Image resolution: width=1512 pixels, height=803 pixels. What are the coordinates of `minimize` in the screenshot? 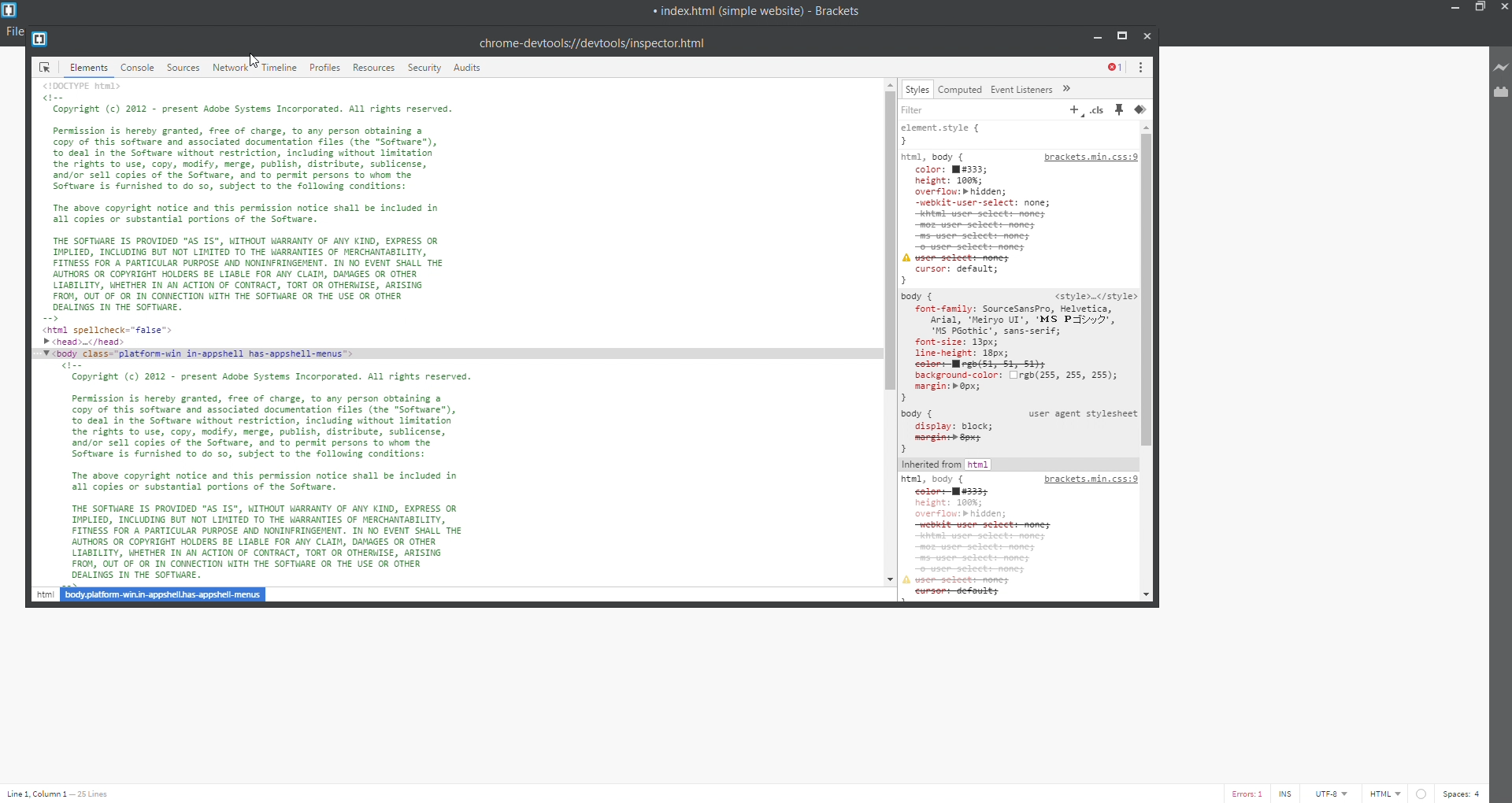 It's located at (1095, 37).